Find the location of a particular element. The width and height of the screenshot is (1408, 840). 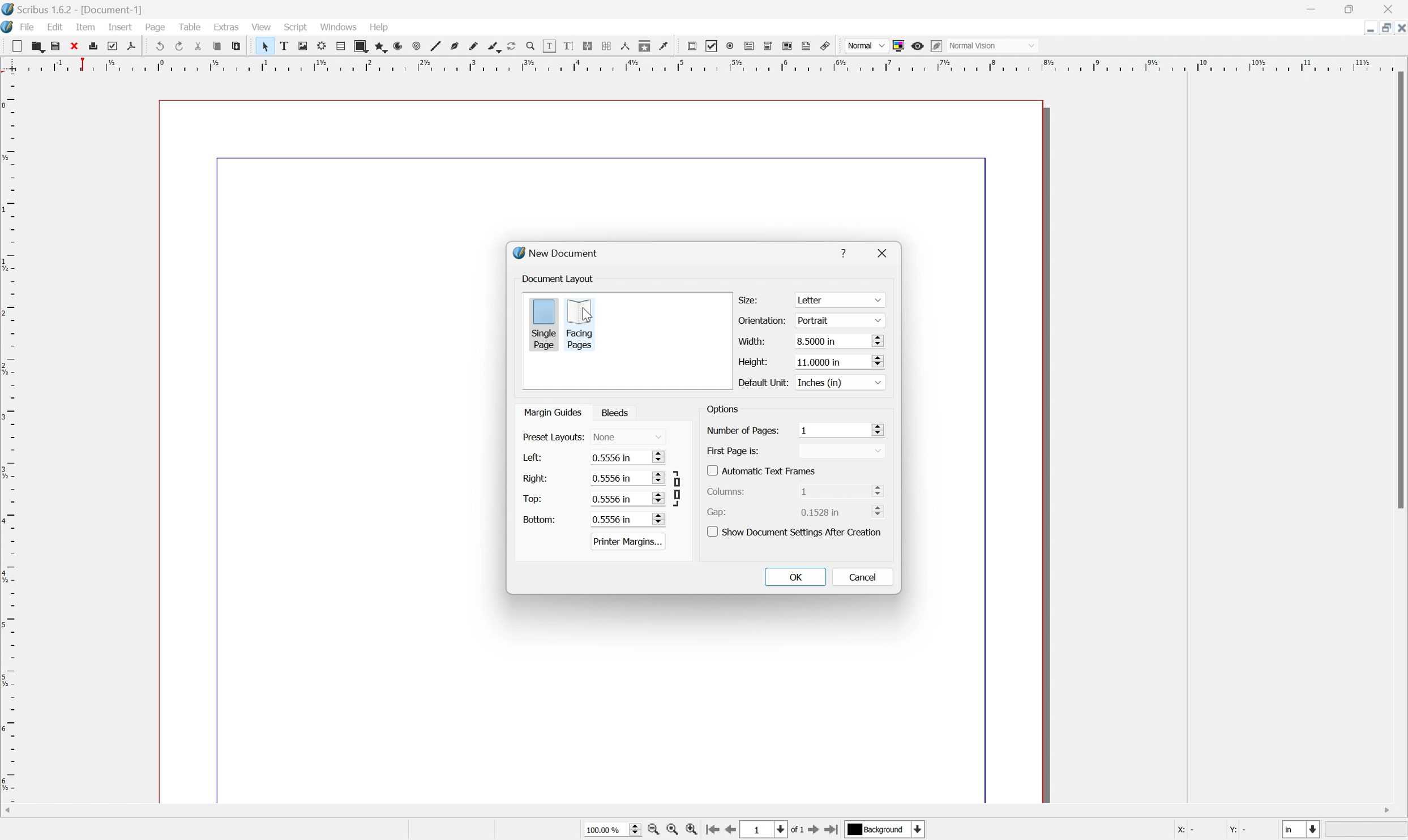

facing pages is located at coordinates (580, 324).